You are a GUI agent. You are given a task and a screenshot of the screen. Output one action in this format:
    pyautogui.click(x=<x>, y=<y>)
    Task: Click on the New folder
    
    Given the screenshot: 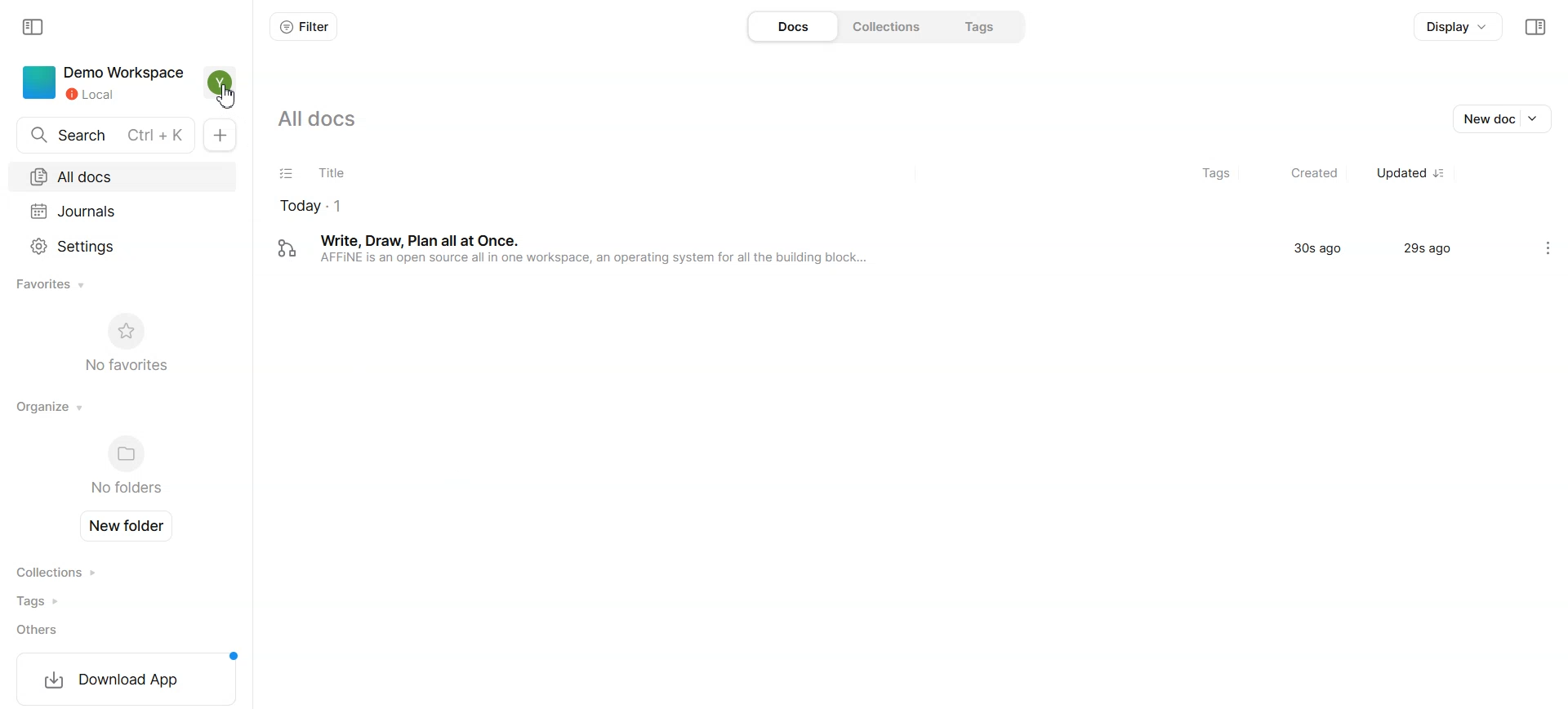 What is the action you would take?
    pyautogui.click(x=131, y=526)
    